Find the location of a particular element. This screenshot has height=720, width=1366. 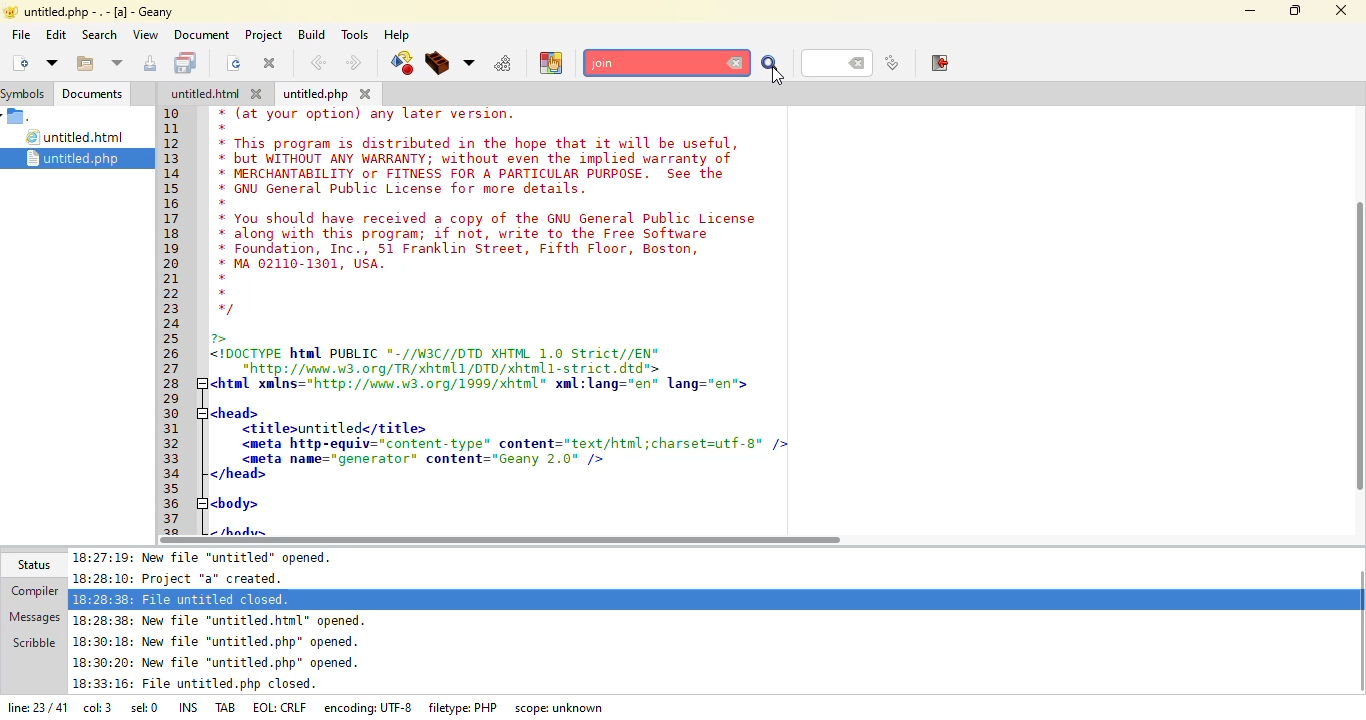

15 is located at coordinates (178, 190).